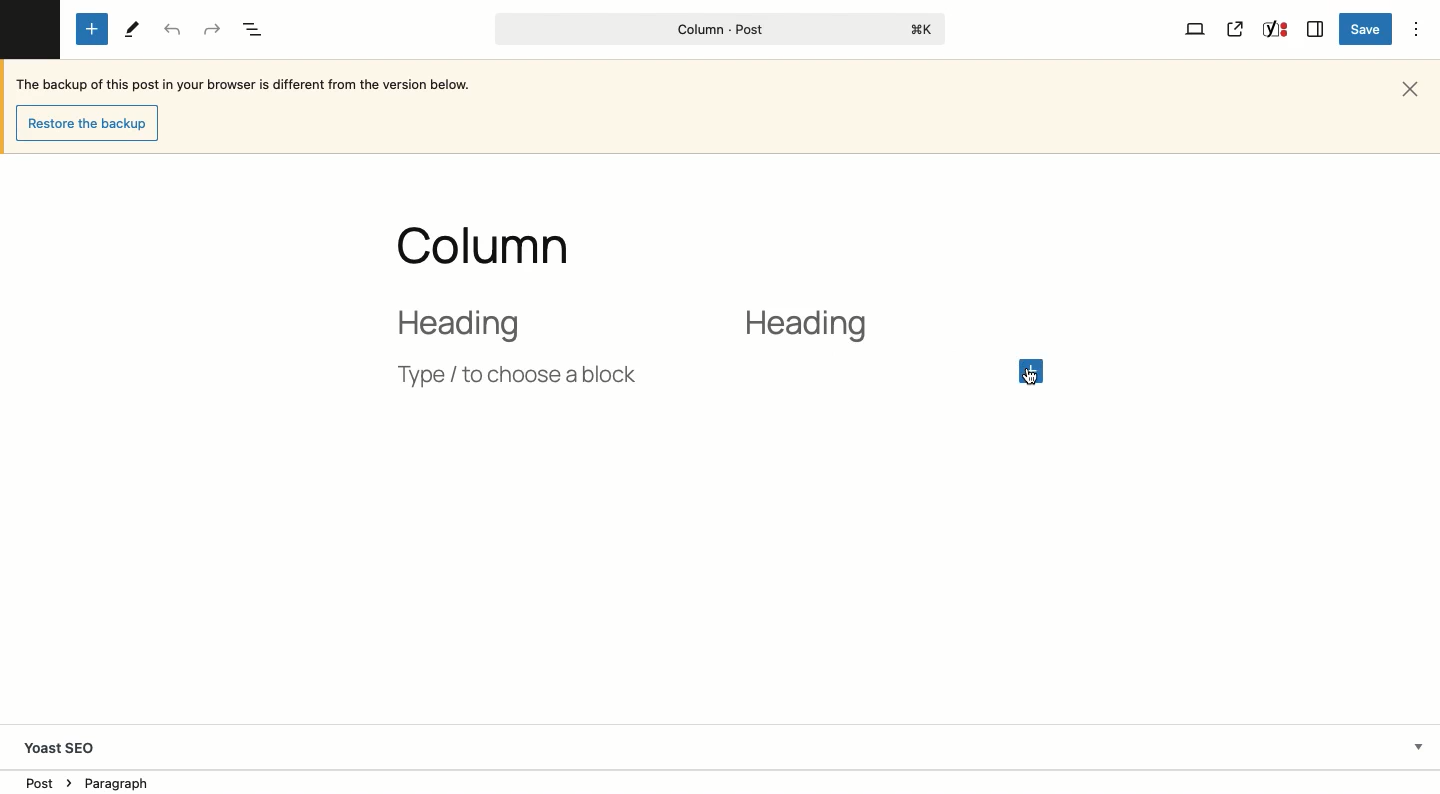  I want to click on 2 column layout heading, so click(638, 323).